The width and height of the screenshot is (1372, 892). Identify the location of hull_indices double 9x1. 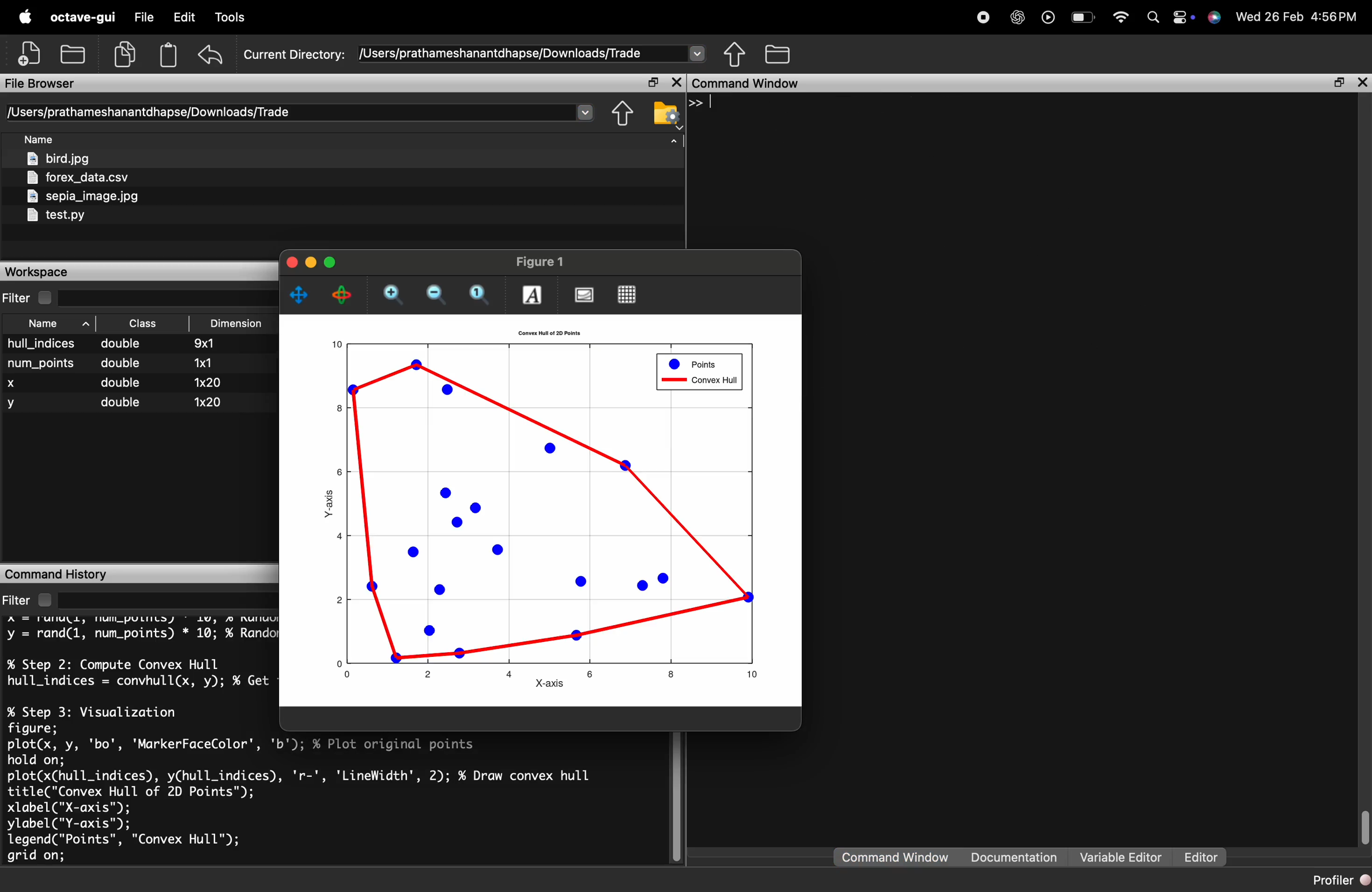
(112, 343).